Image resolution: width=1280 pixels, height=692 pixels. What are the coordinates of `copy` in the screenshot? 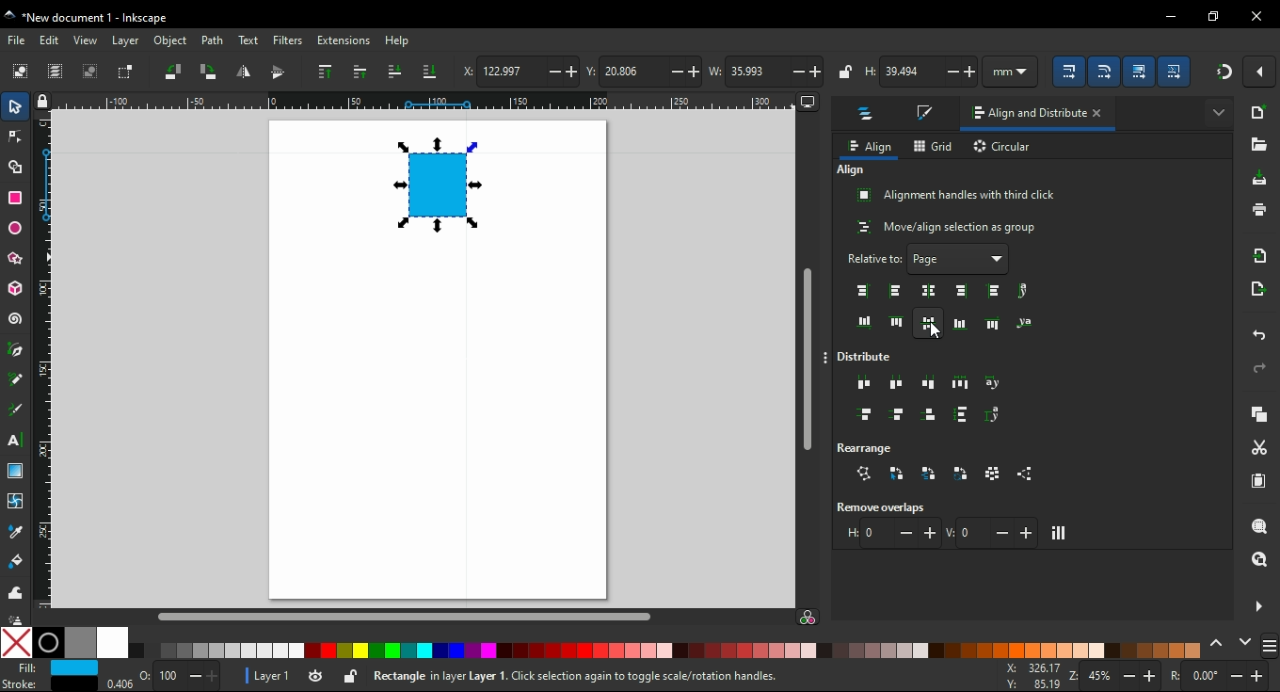 It's located at (1261, 414).